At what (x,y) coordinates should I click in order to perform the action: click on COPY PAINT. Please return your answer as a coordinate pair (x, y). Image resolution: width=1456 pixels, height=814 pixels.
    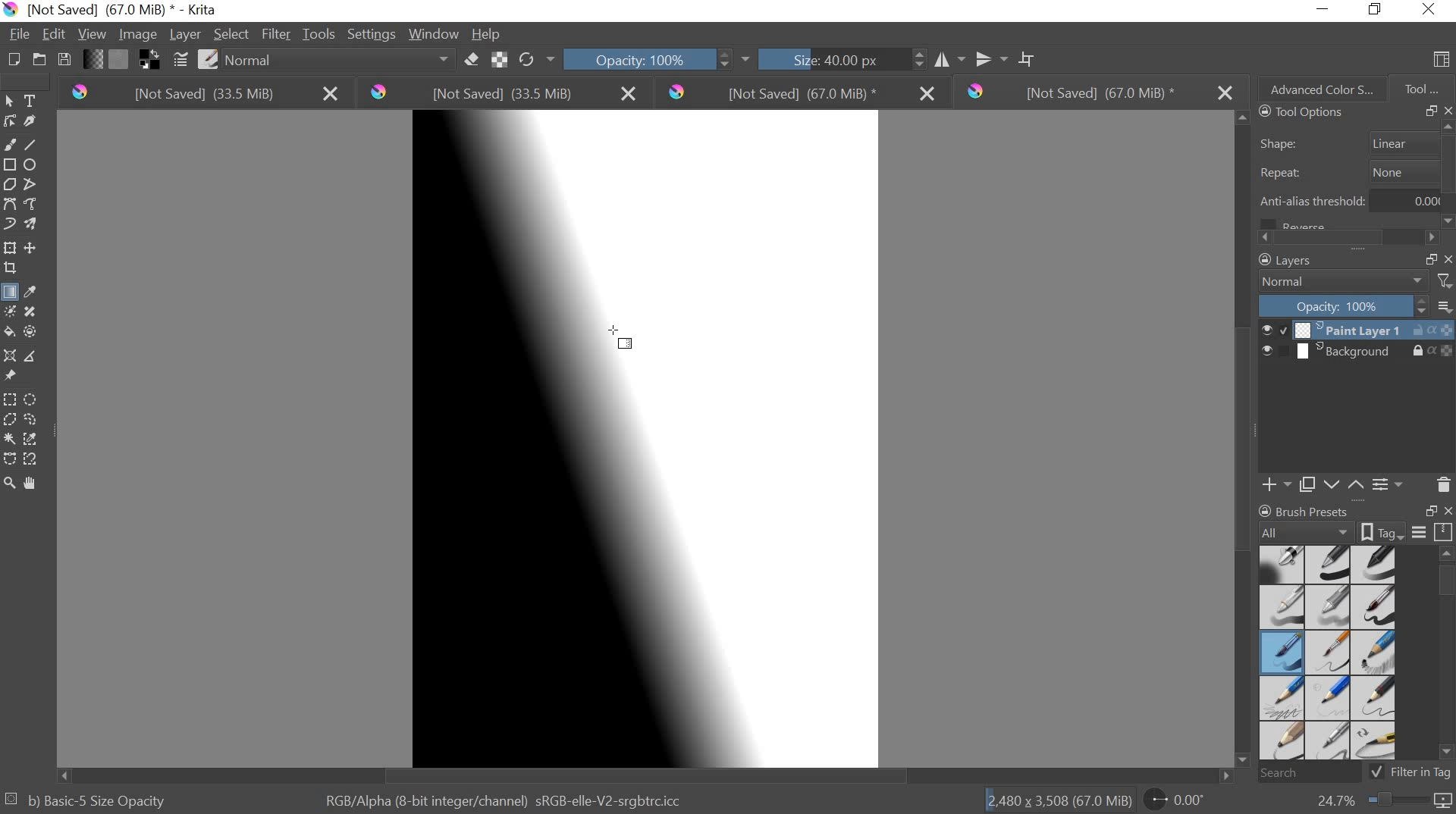
    Looking at the image, I should click on (1307, 484).